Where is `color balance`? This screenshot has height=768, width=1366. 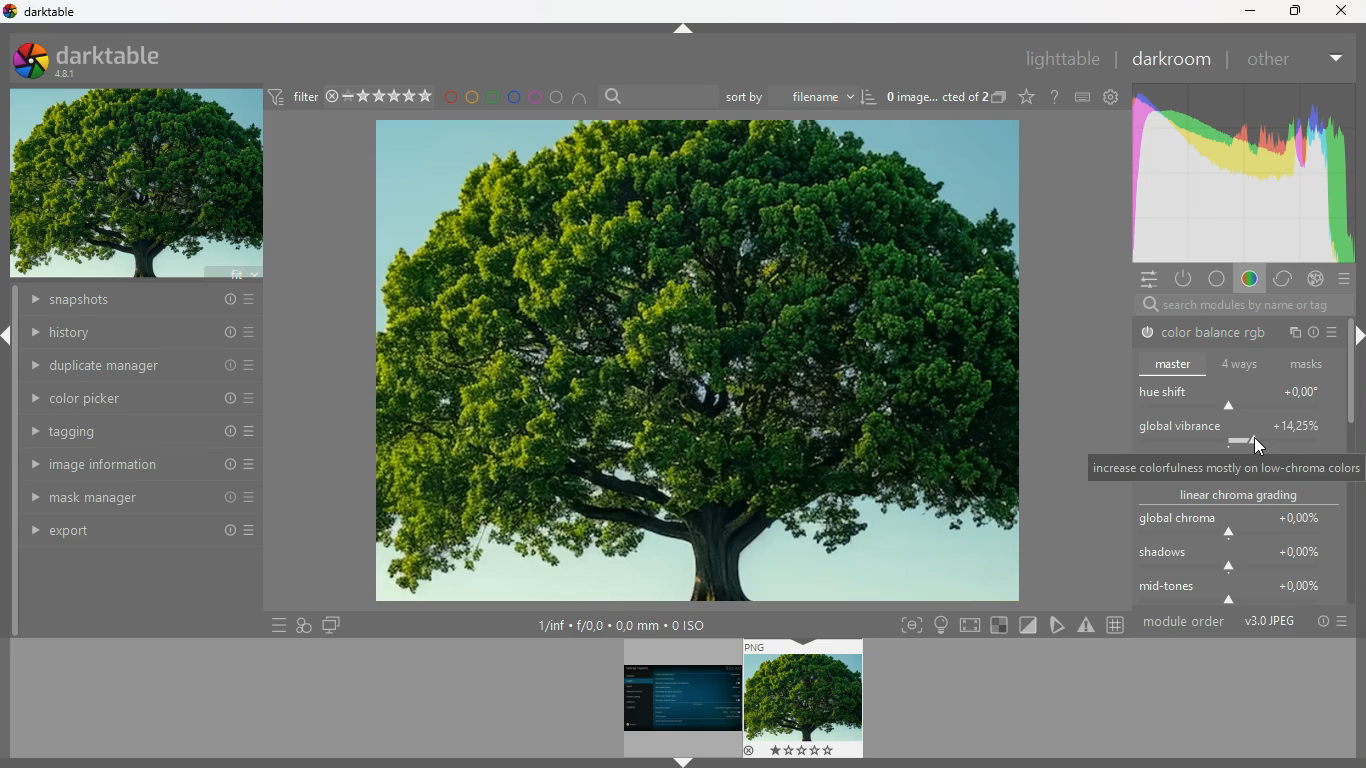 color balance is located at coordinates (1205, 334).